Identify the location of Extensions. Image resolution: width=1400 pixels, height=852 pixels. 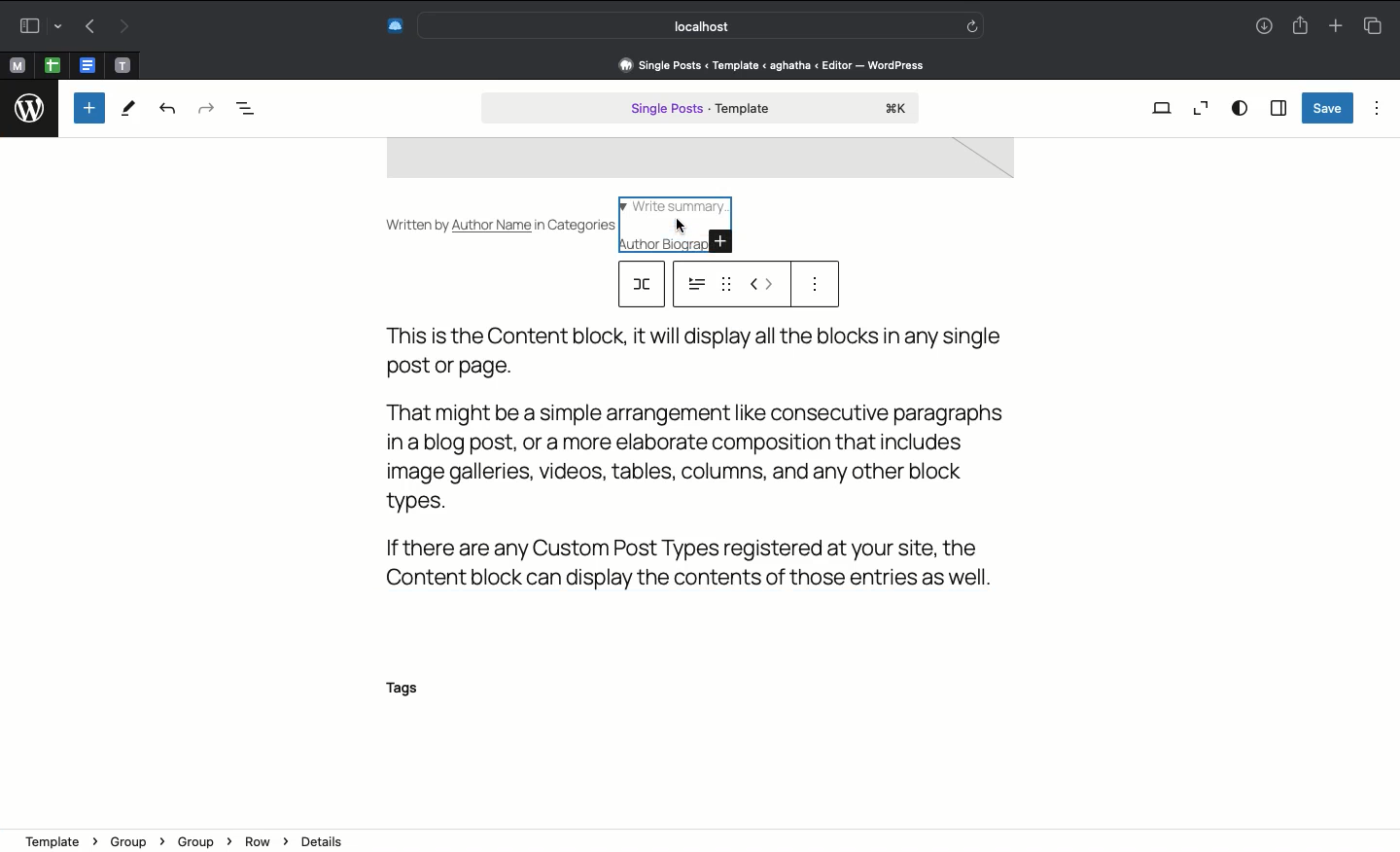
(393, 25).